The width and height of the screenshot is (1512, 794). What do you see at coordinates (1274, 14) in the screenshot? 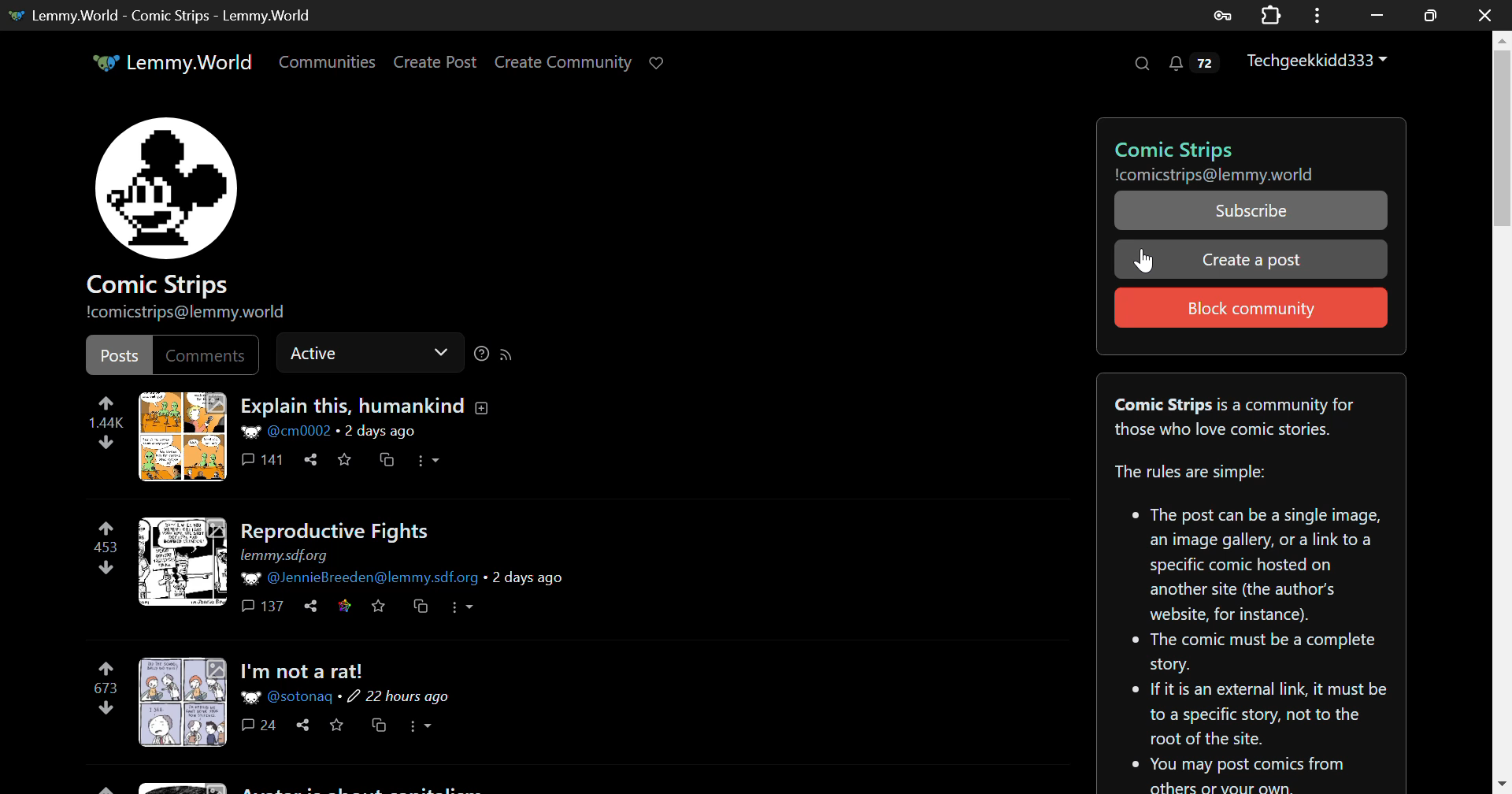
I see `Extensions` at bounding box center [1274, 14].